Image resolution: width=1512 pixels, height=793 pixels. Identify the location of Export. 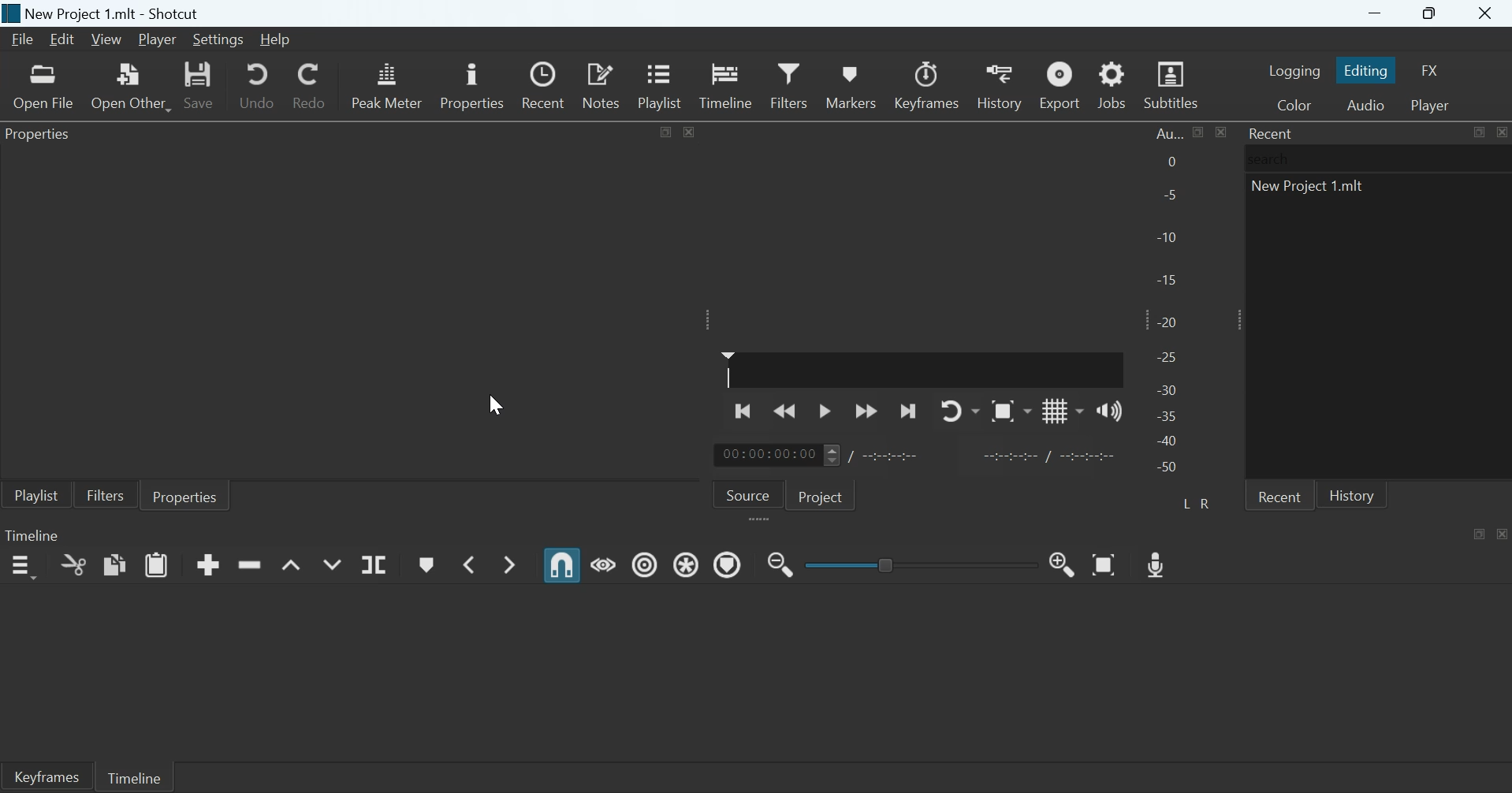
(1058, 84).